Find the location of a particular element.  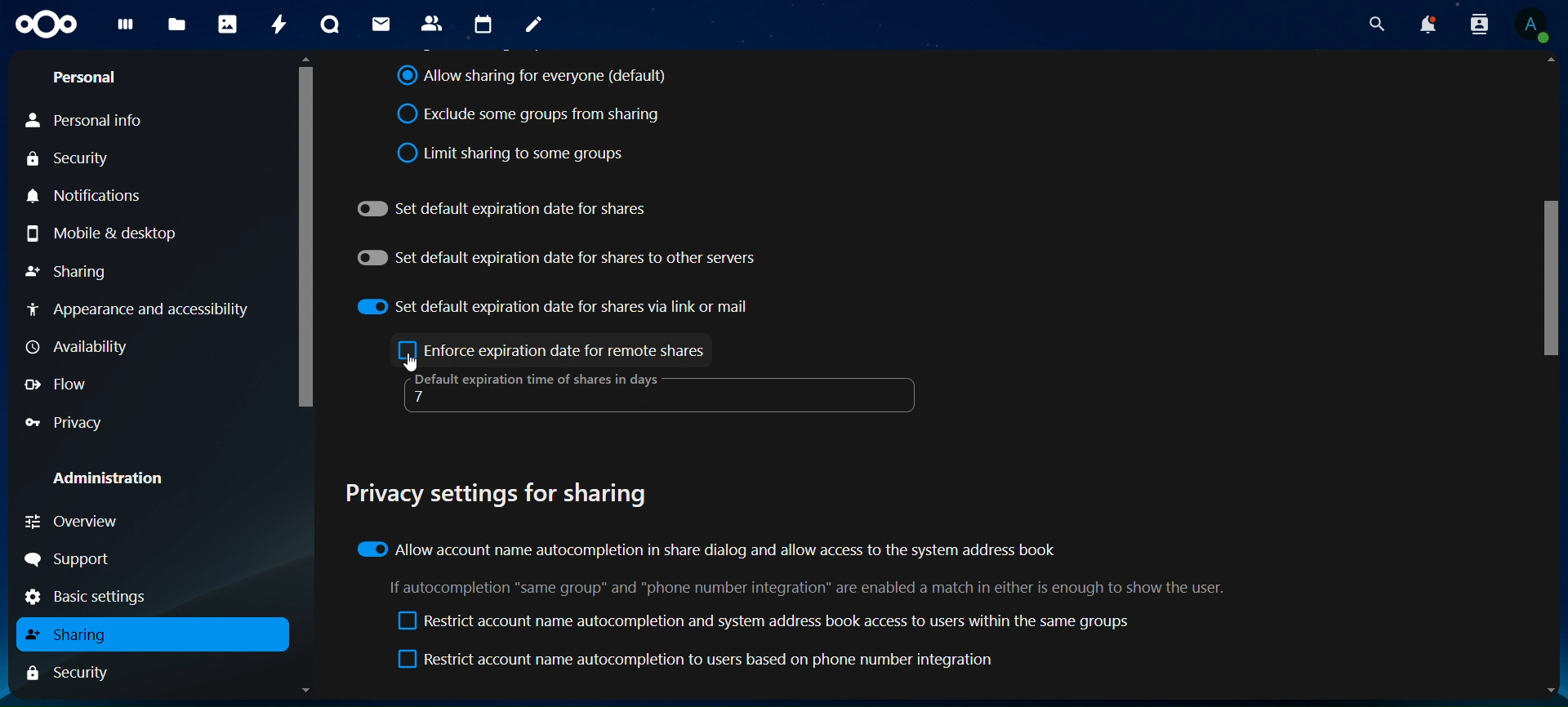

notes is located at coordinates (532, 26).